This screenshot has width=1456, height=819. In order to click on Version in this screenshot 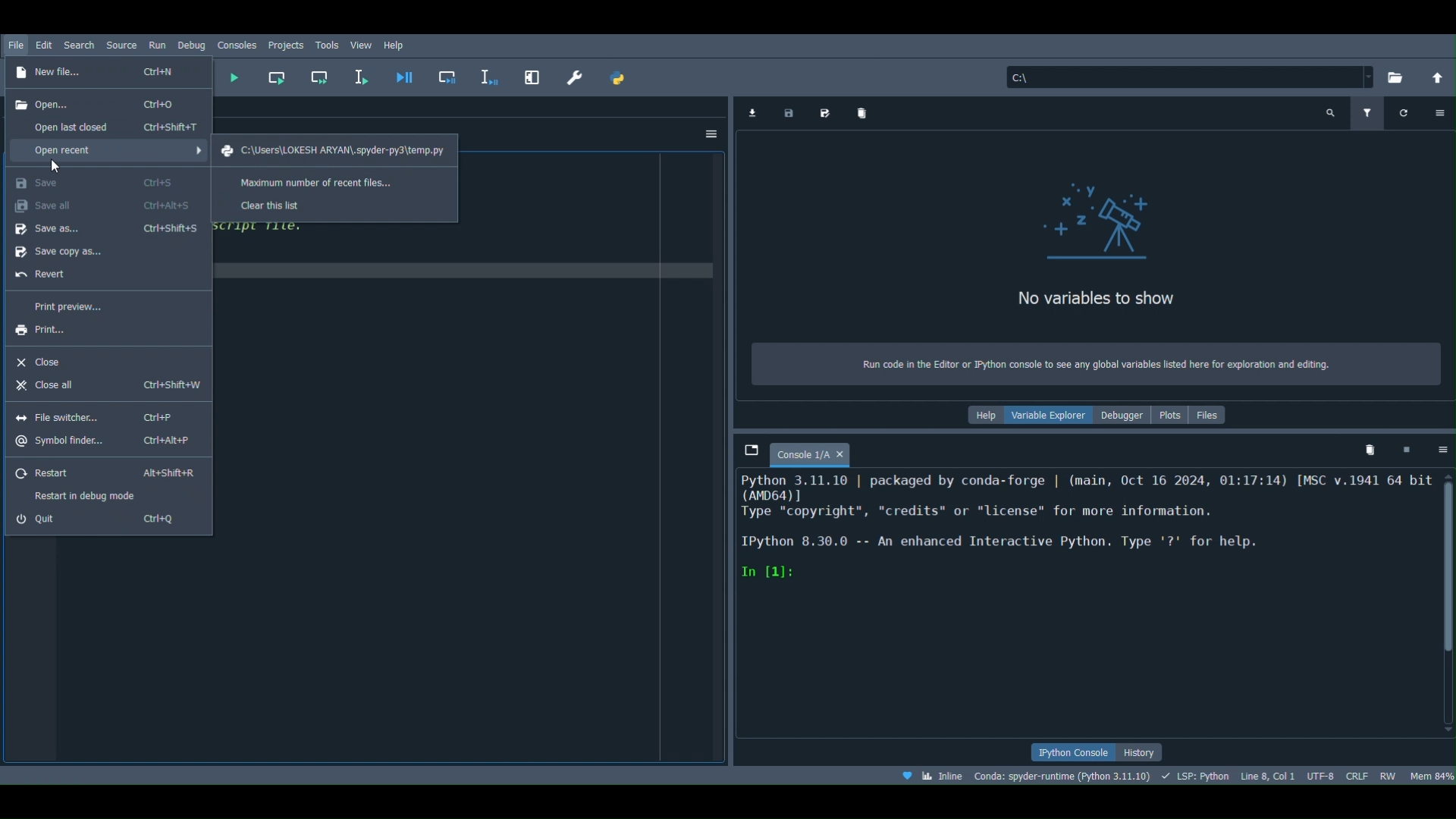, I will do `click(1064, 774)`.